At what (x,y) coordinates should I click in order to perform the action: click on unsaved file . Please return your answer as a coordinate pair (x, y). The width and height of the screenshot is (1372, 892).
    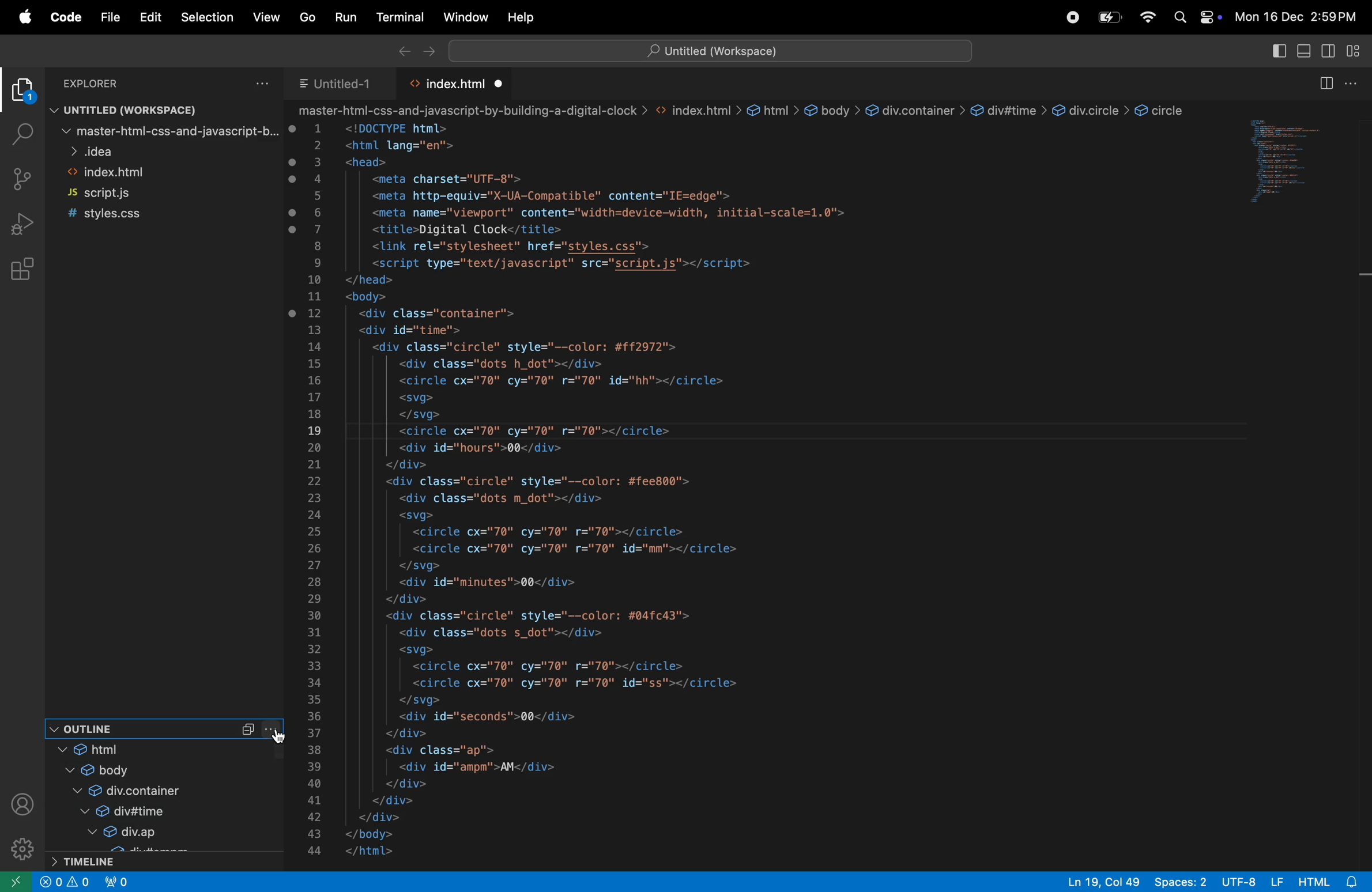
    Looking at the image, I should click on (501, 84).